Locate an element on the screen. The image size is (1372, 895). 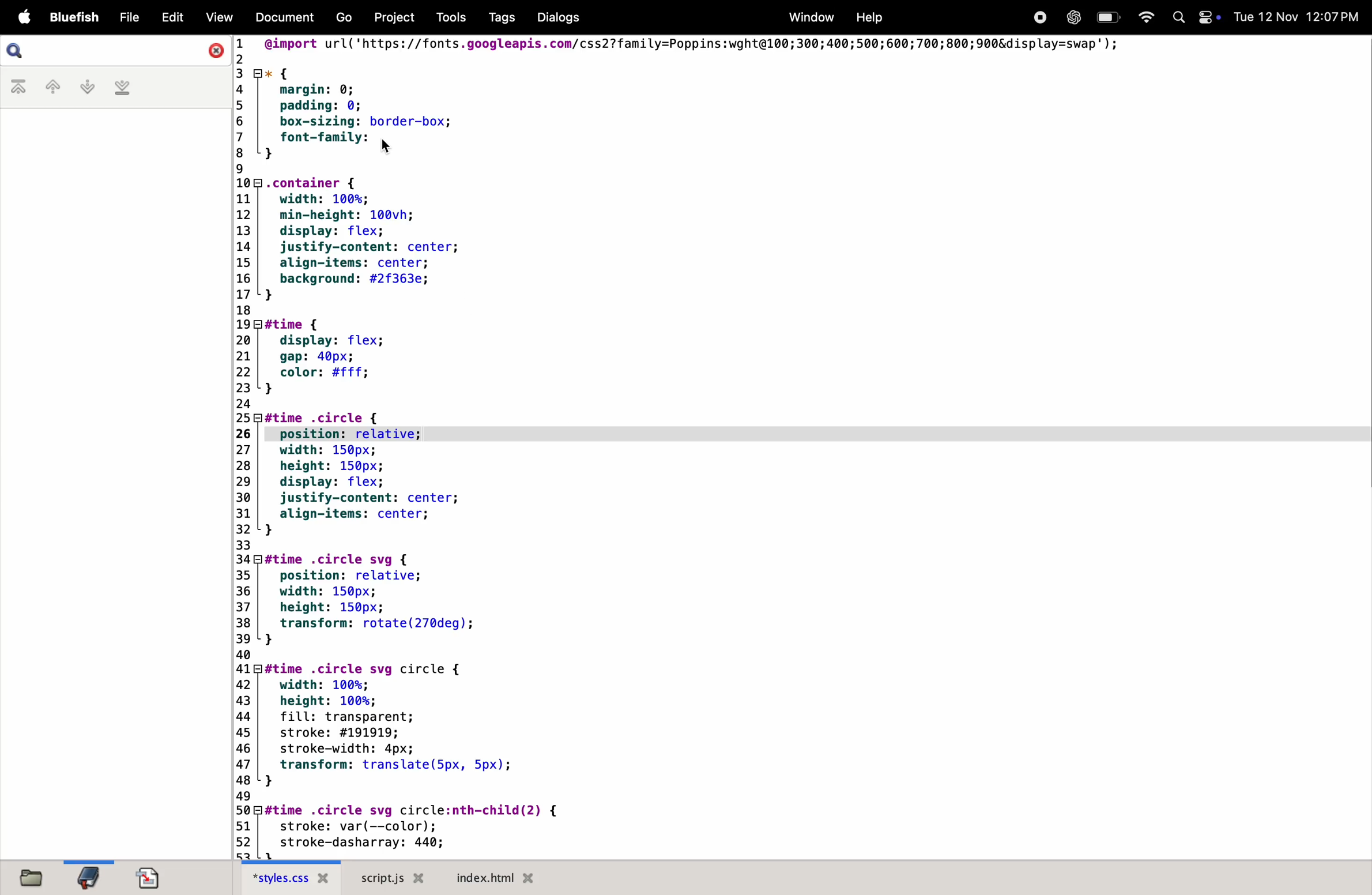
edit is located at coordinates (169, 17).